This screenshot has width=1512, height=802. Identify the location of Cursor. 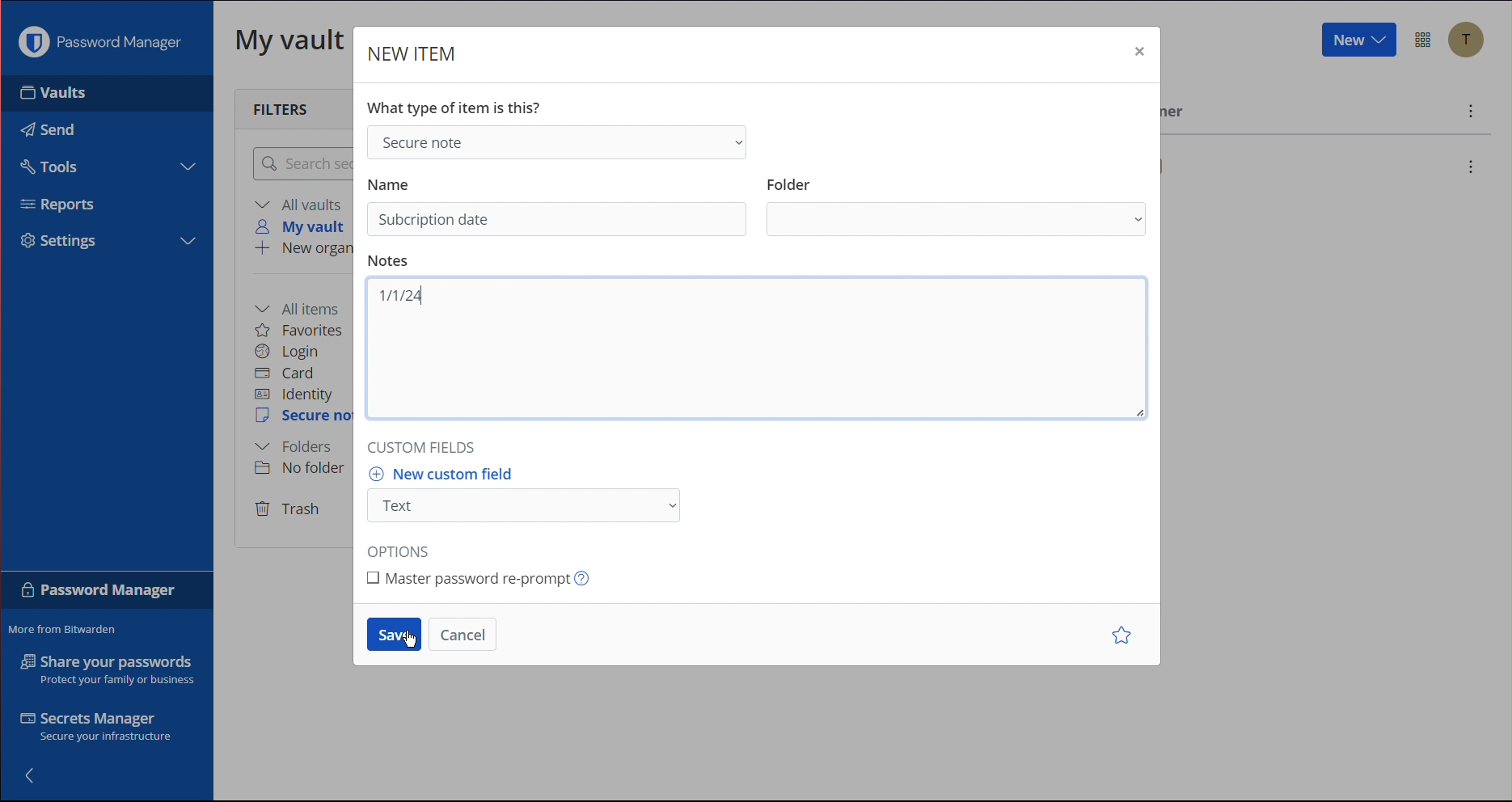
(414, 641).